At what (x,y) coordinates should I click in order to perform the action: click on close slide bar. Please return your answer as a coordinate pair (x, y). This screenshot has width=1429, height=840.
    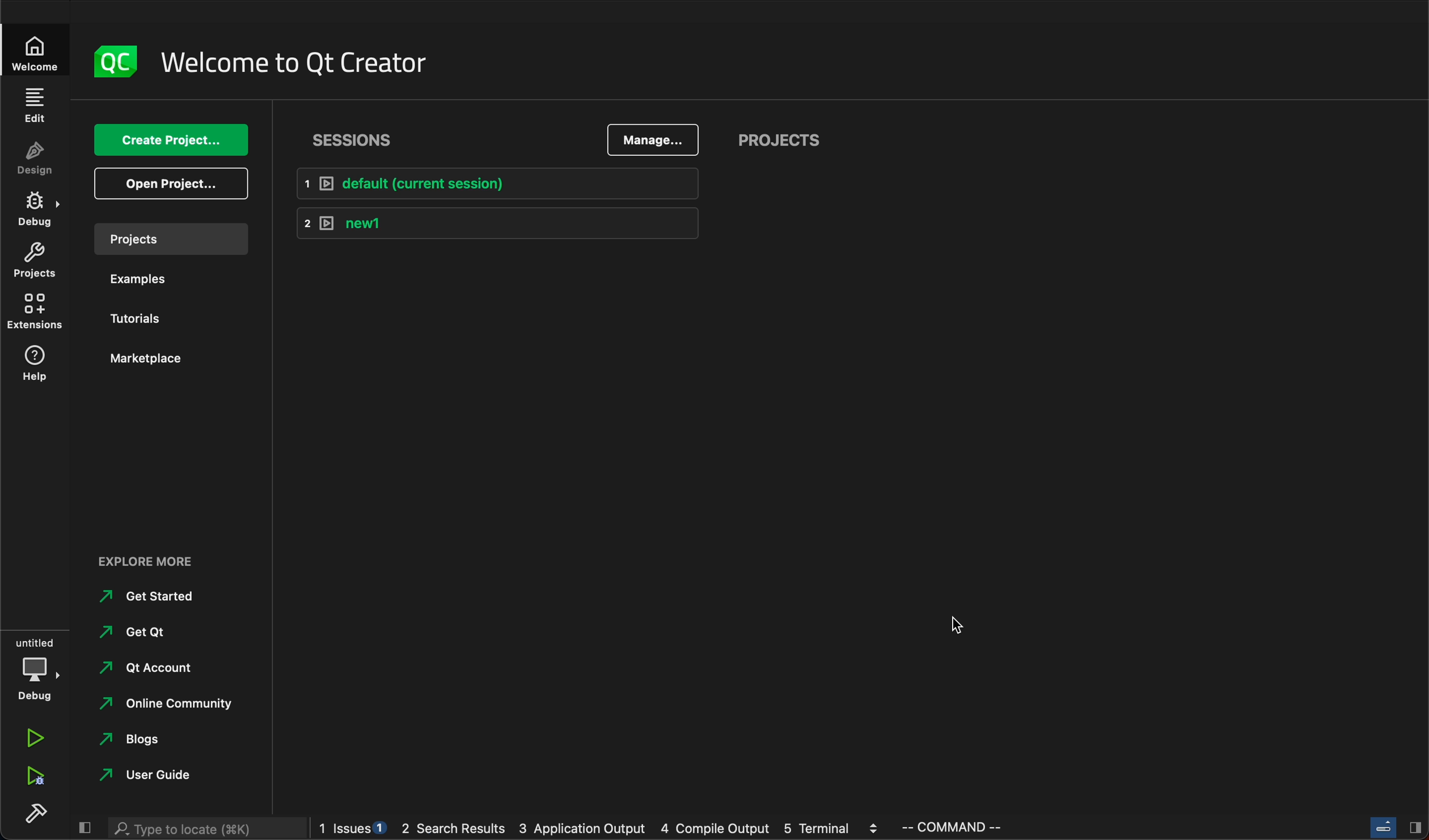
    Looking at the image, I should click on (1394, 826).